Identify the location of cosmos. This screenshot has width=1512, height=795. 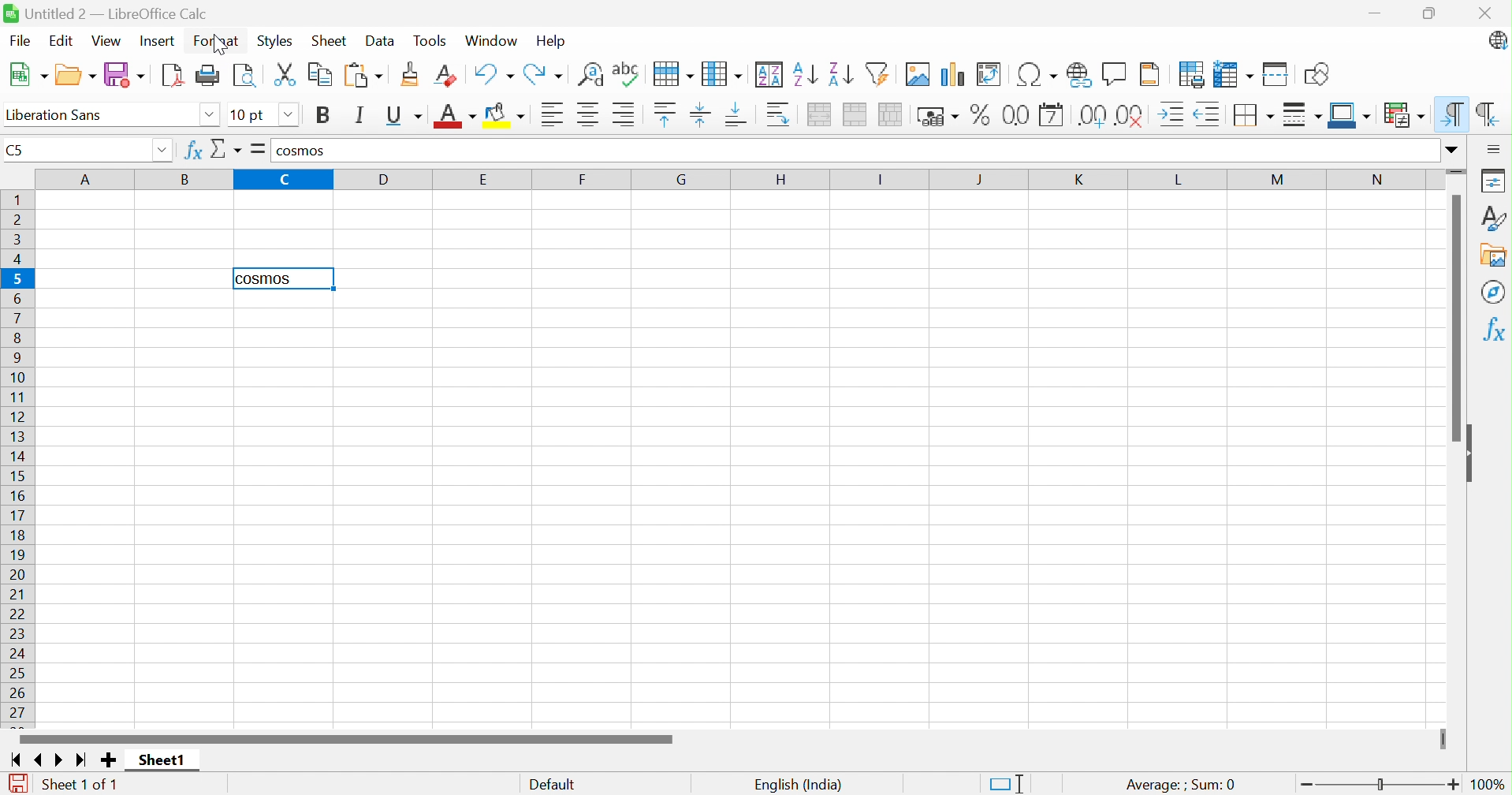
(262, 280).